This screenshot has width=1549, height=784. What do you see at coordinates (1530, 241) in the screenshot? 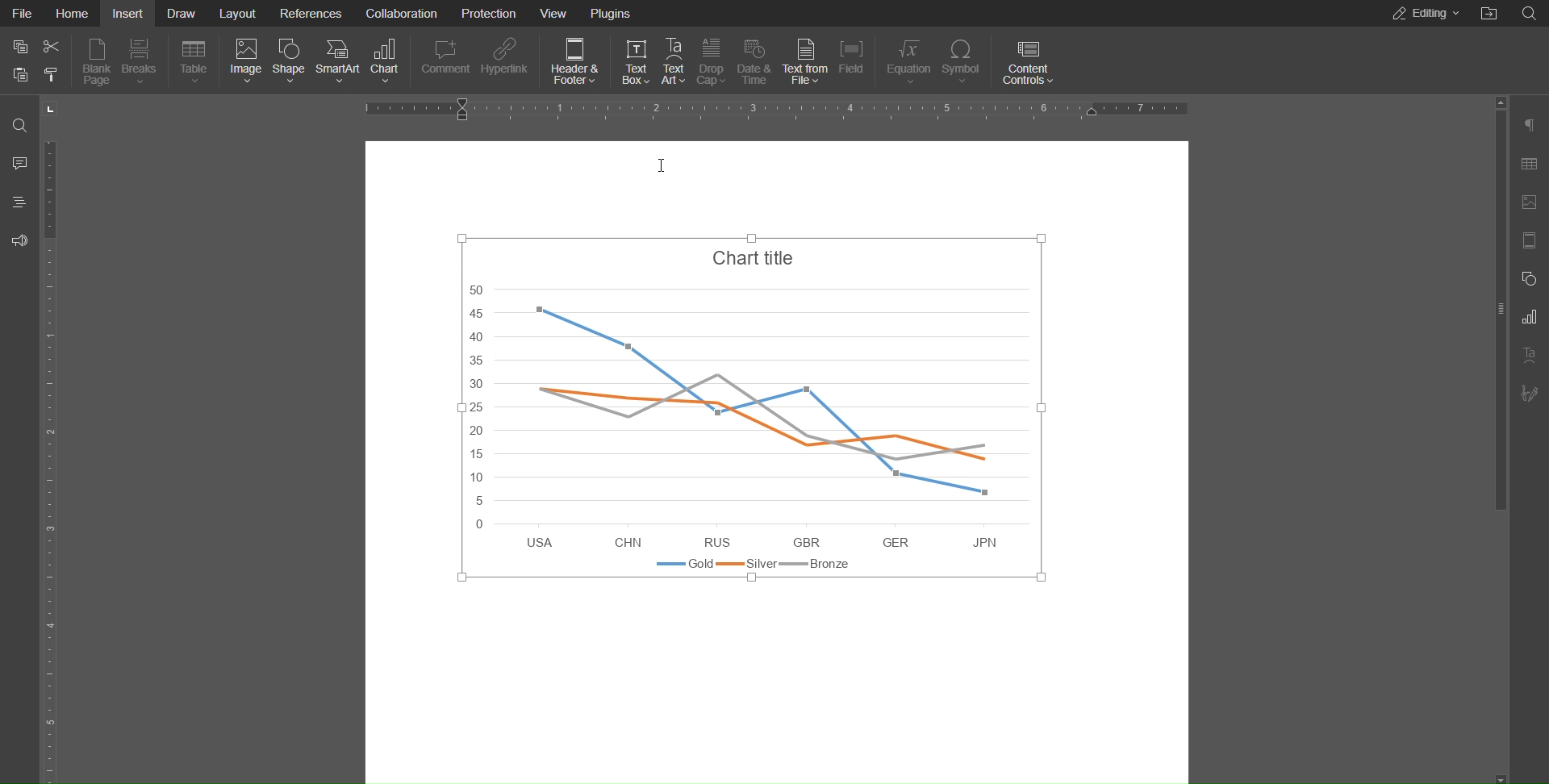
I see `Header and Setter` at bounding box center [1530, 241].